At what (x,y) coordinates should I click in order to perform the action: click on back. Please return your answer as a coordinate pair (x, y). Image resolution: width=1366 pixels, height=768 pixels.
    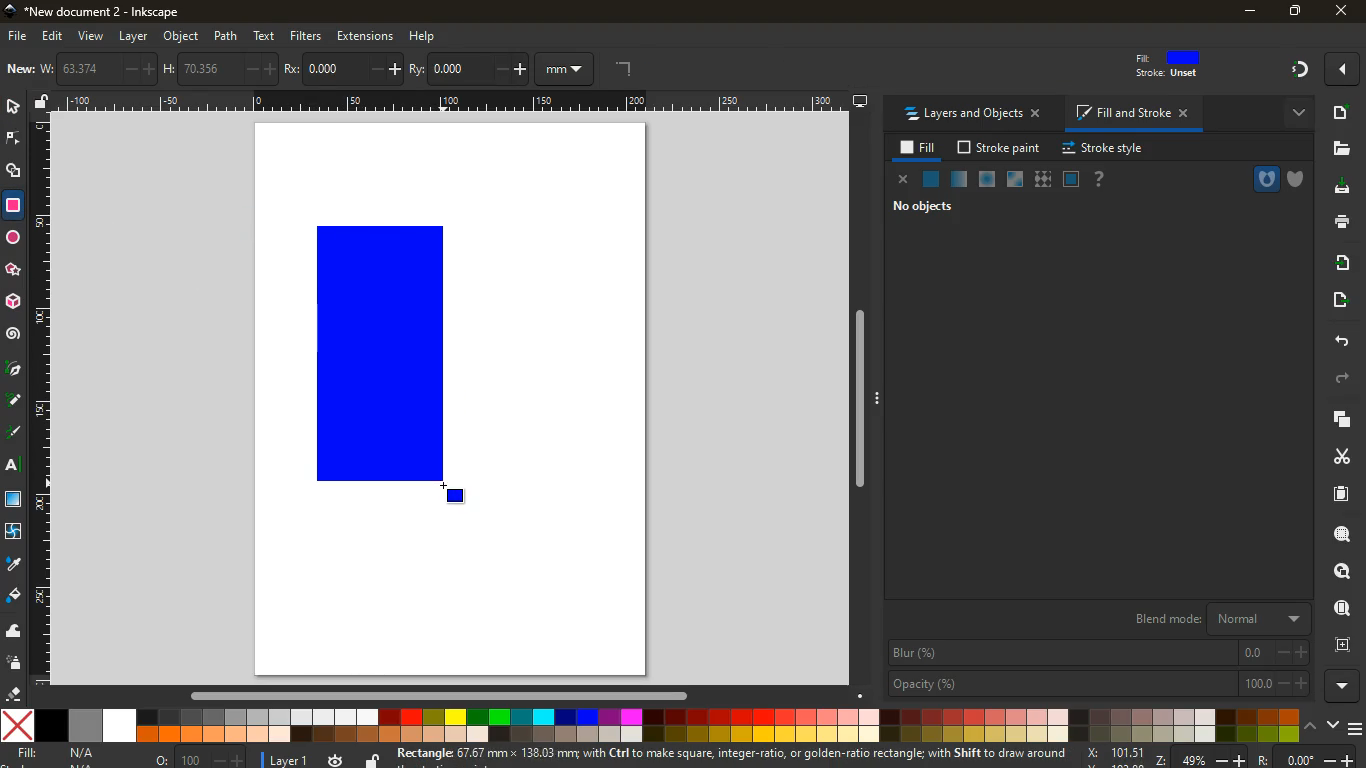
    Looking at the image, I should click on (1340, 338).